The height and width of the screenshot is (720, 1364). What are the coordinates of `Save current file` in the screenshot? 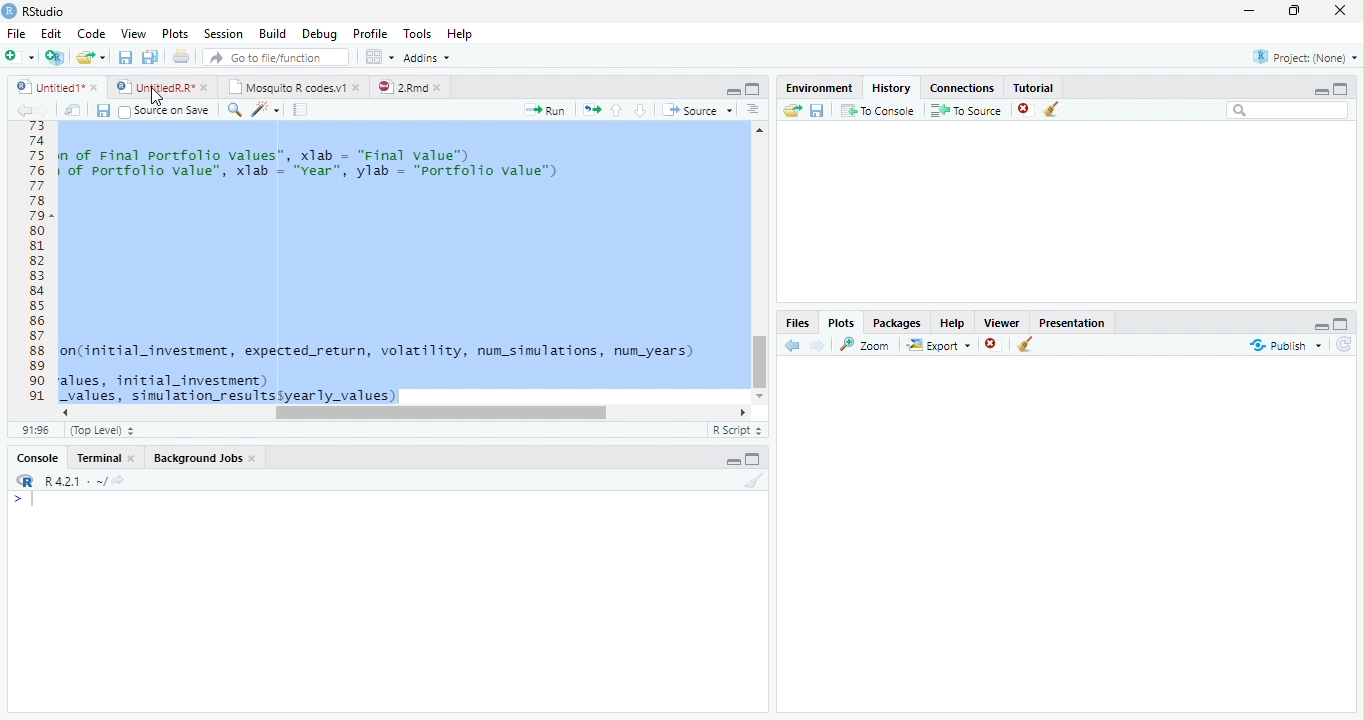 It's located at (124, 57).